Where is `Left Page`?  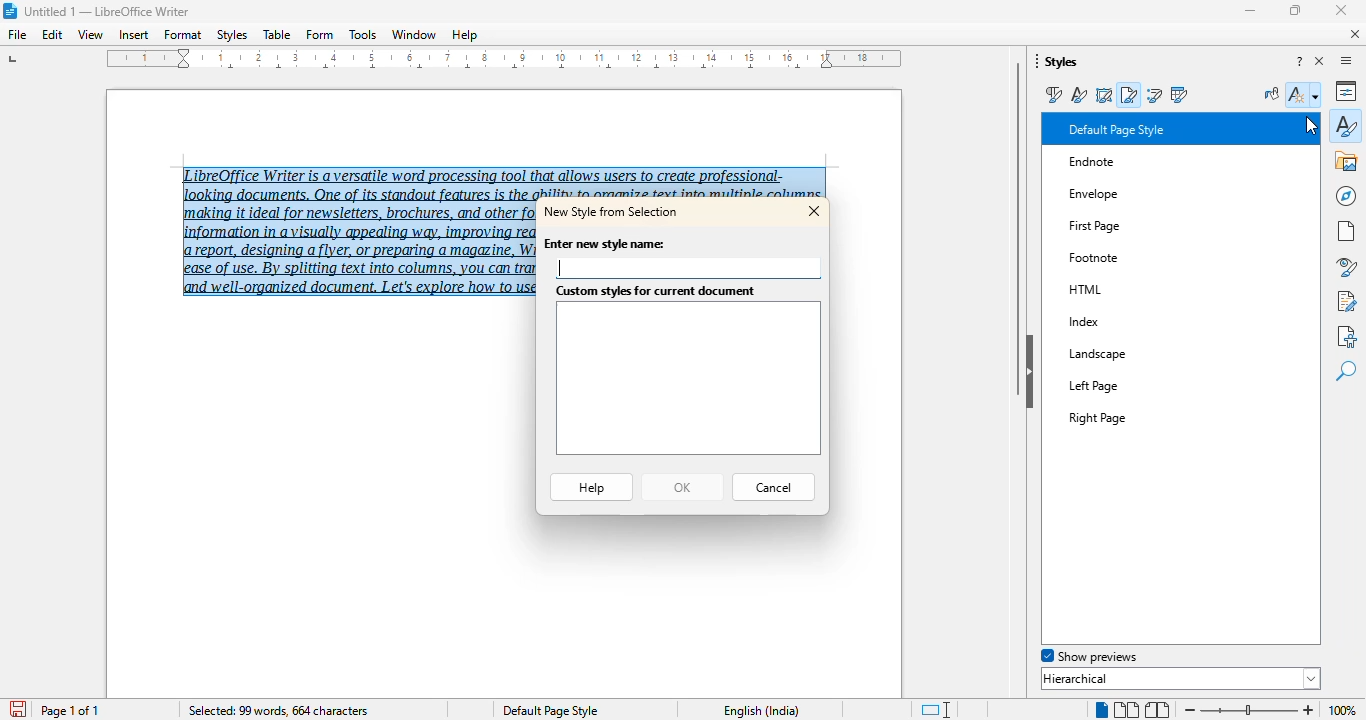
Left Page is located at coordinates (1122, 384).